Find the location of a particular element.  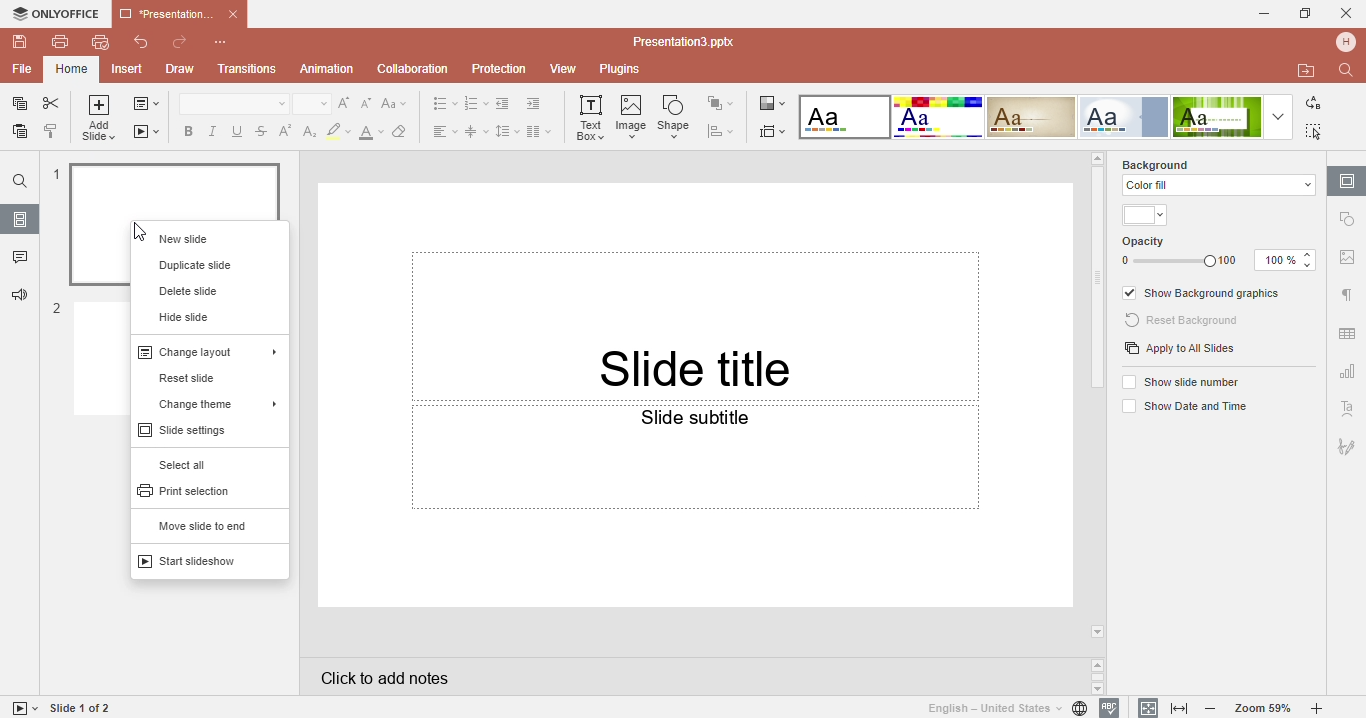

Drop down is located at coordinates (1277, 117).